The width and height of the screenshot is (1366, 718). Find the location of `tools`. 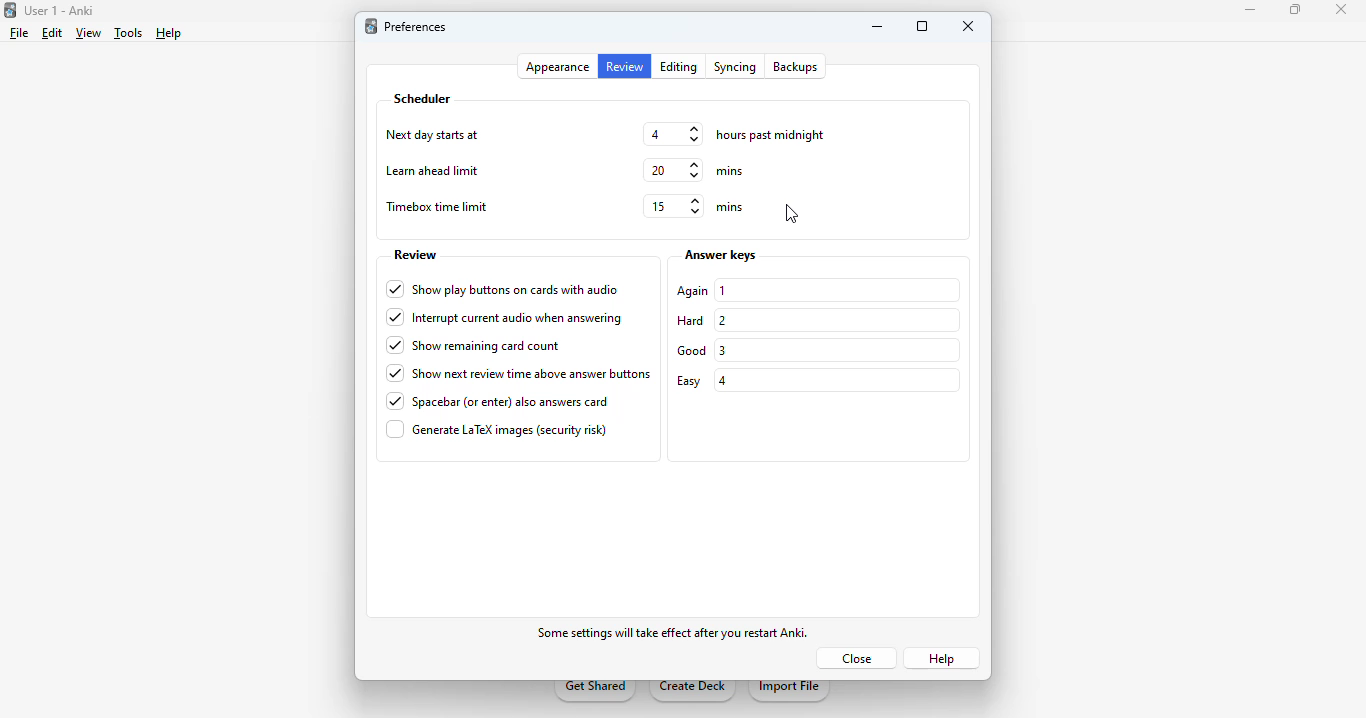

tools is located at coordinates (128, 33).